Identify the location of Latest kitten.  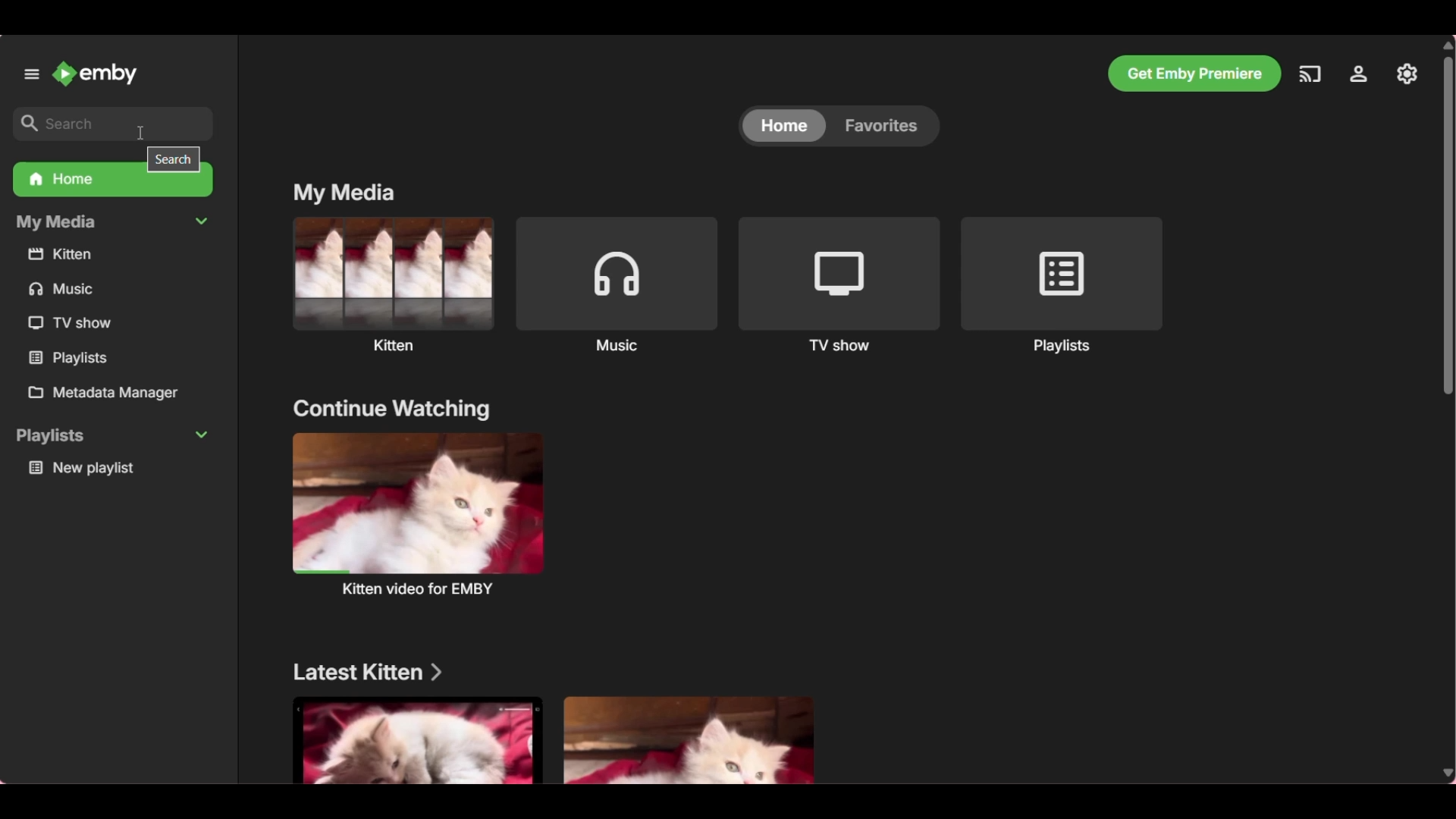
(366, 672).